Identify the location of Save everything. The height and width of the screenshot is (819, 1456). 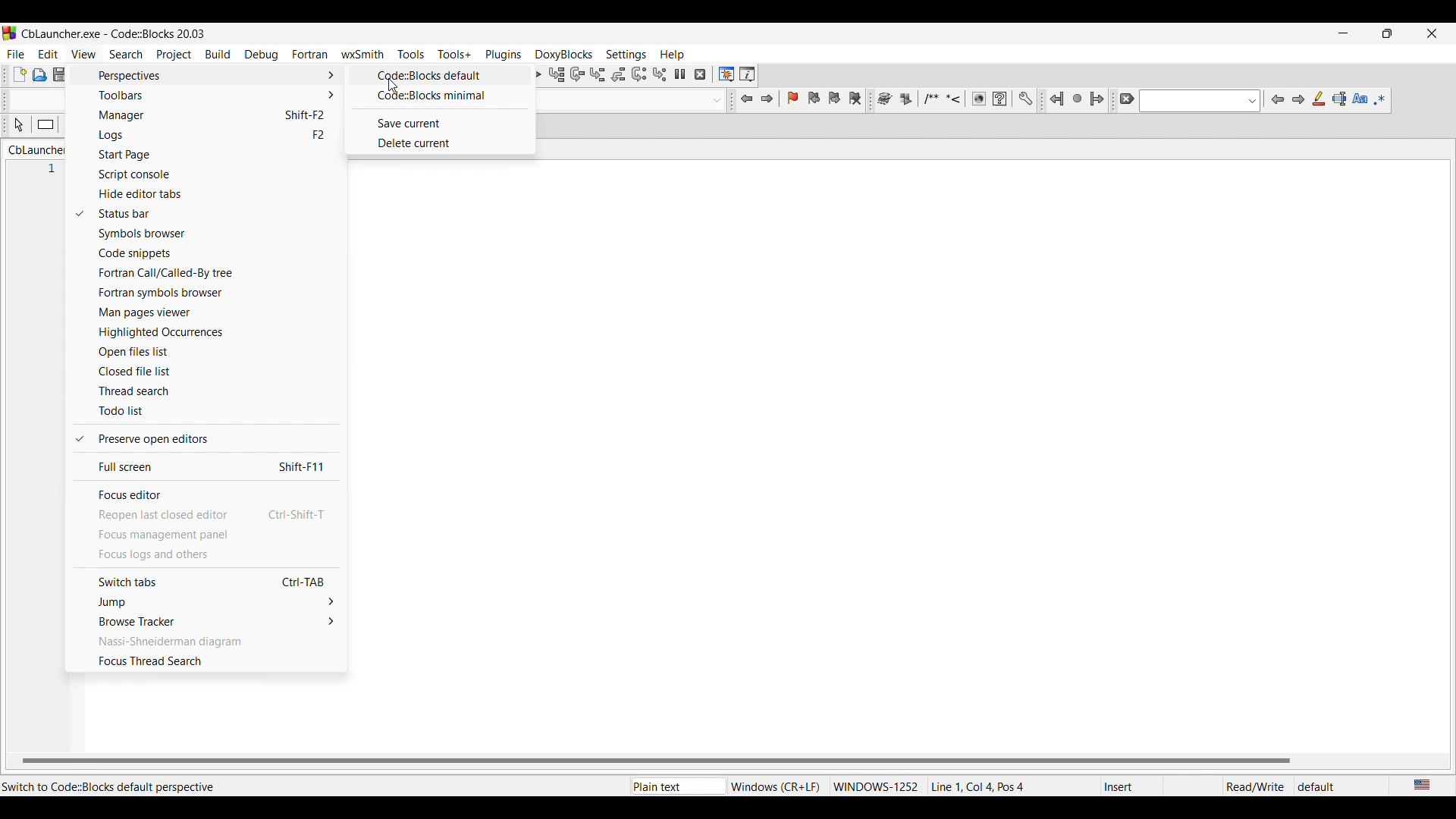
(81, 74).